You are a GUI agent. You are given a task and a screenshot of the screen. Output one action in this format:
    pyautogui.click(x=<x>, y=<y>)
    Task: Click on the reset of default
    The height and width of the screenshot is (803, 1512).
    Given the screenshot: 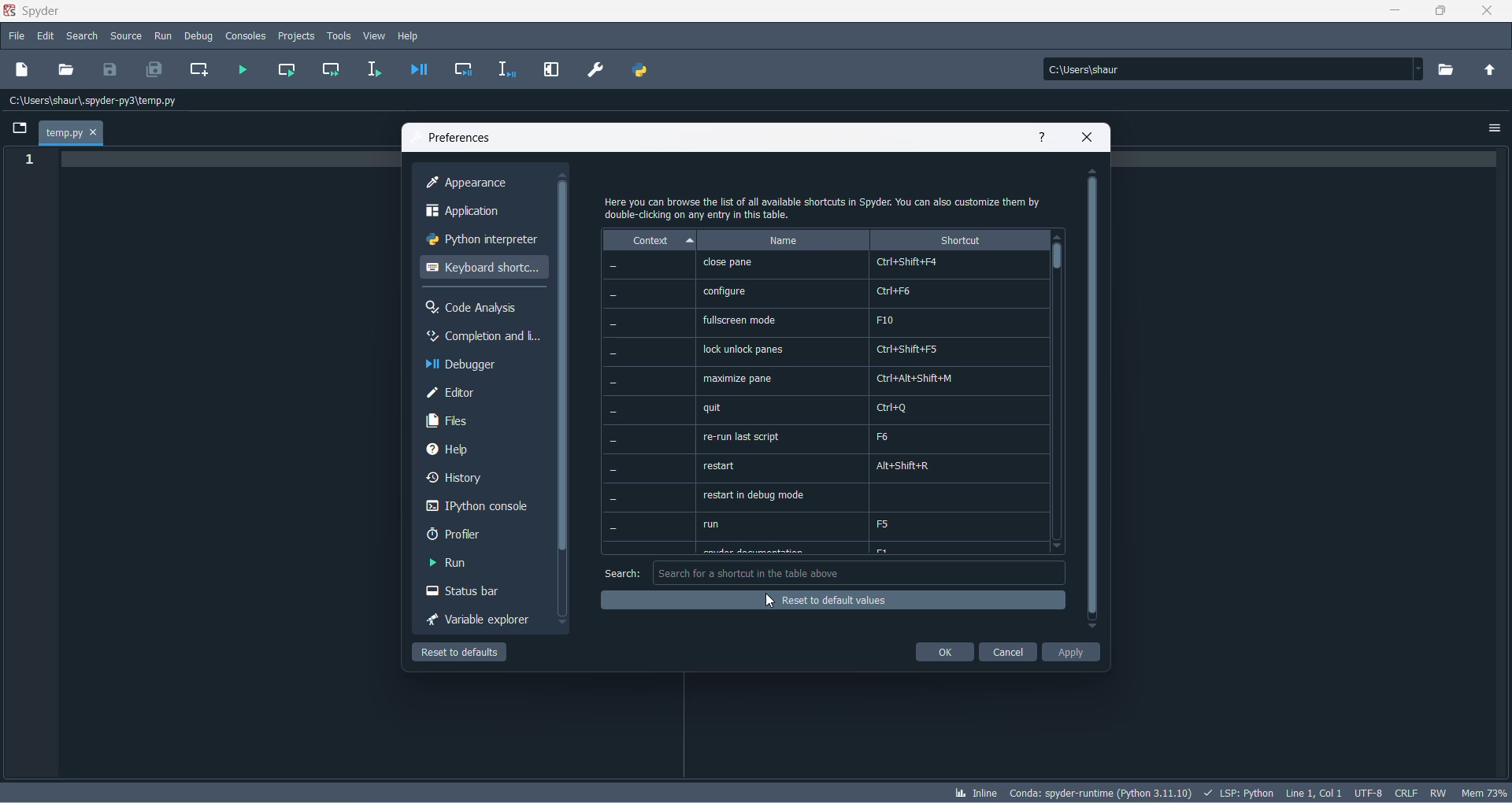 What is the action you would take?
    pyautogui.click(x=833, y=600)
    